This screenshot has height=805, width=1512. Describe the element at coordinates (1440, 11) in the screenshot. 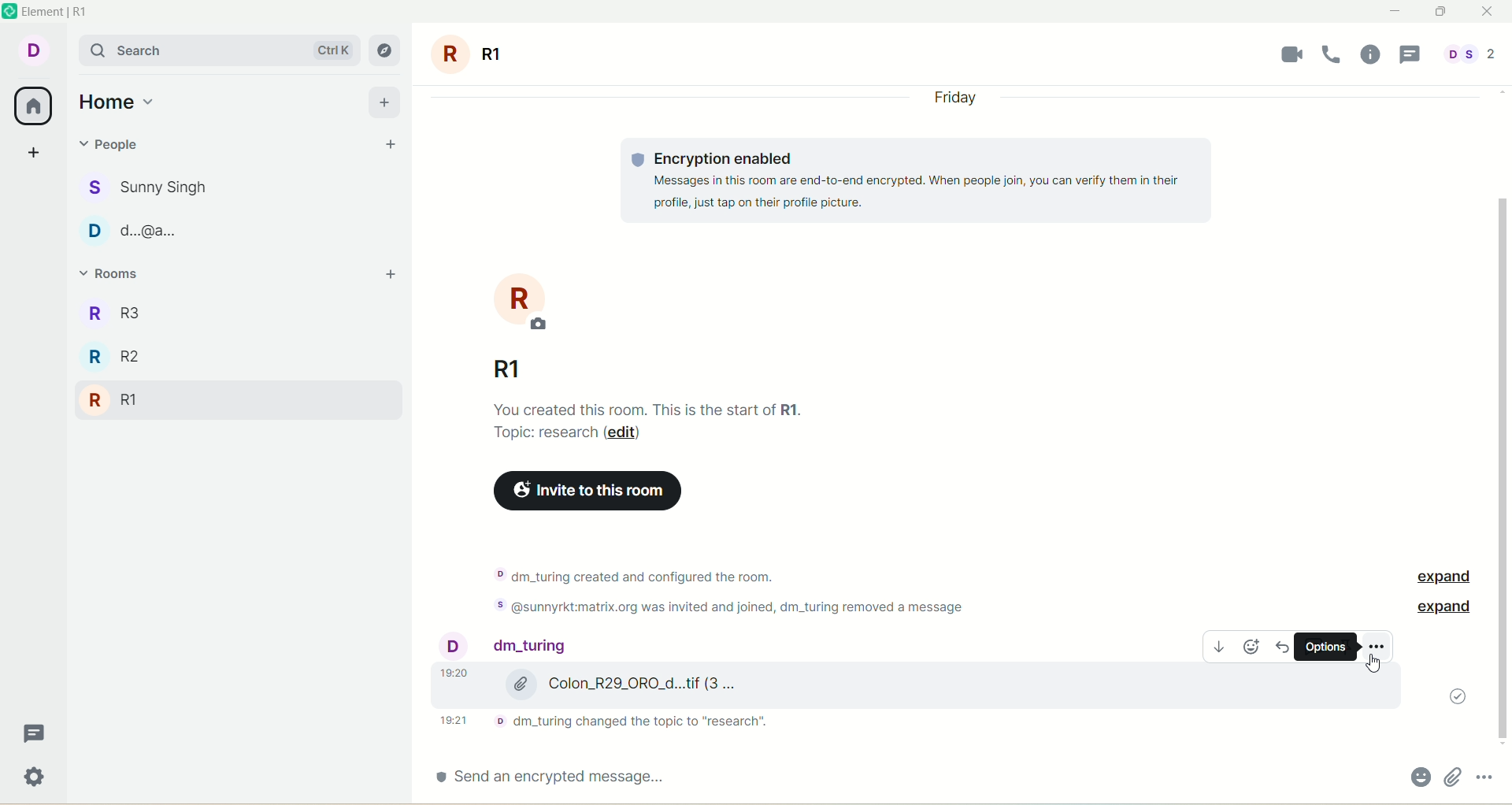

I see `maximize` at that location.